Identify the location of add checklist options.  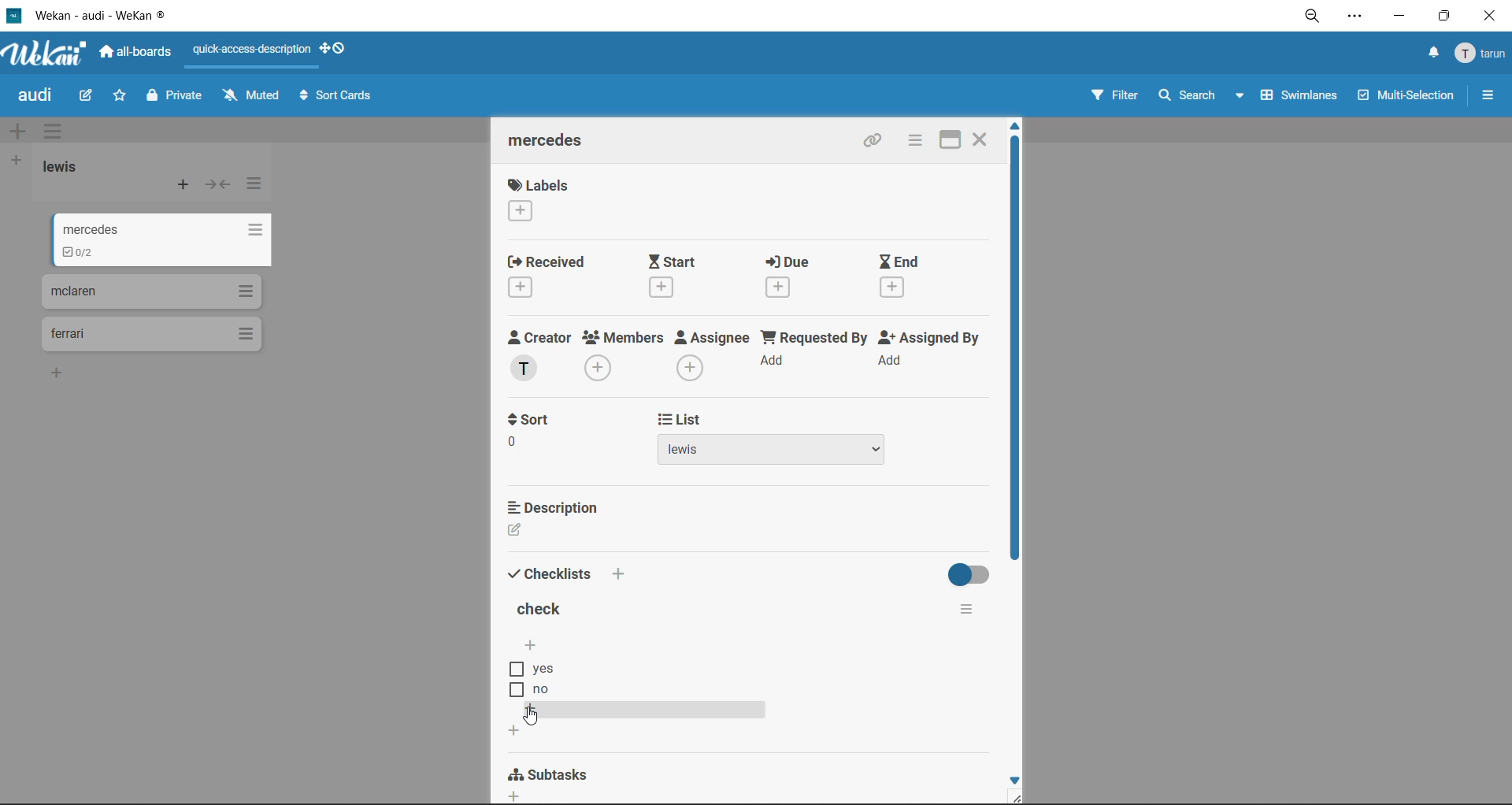
(532, 711).